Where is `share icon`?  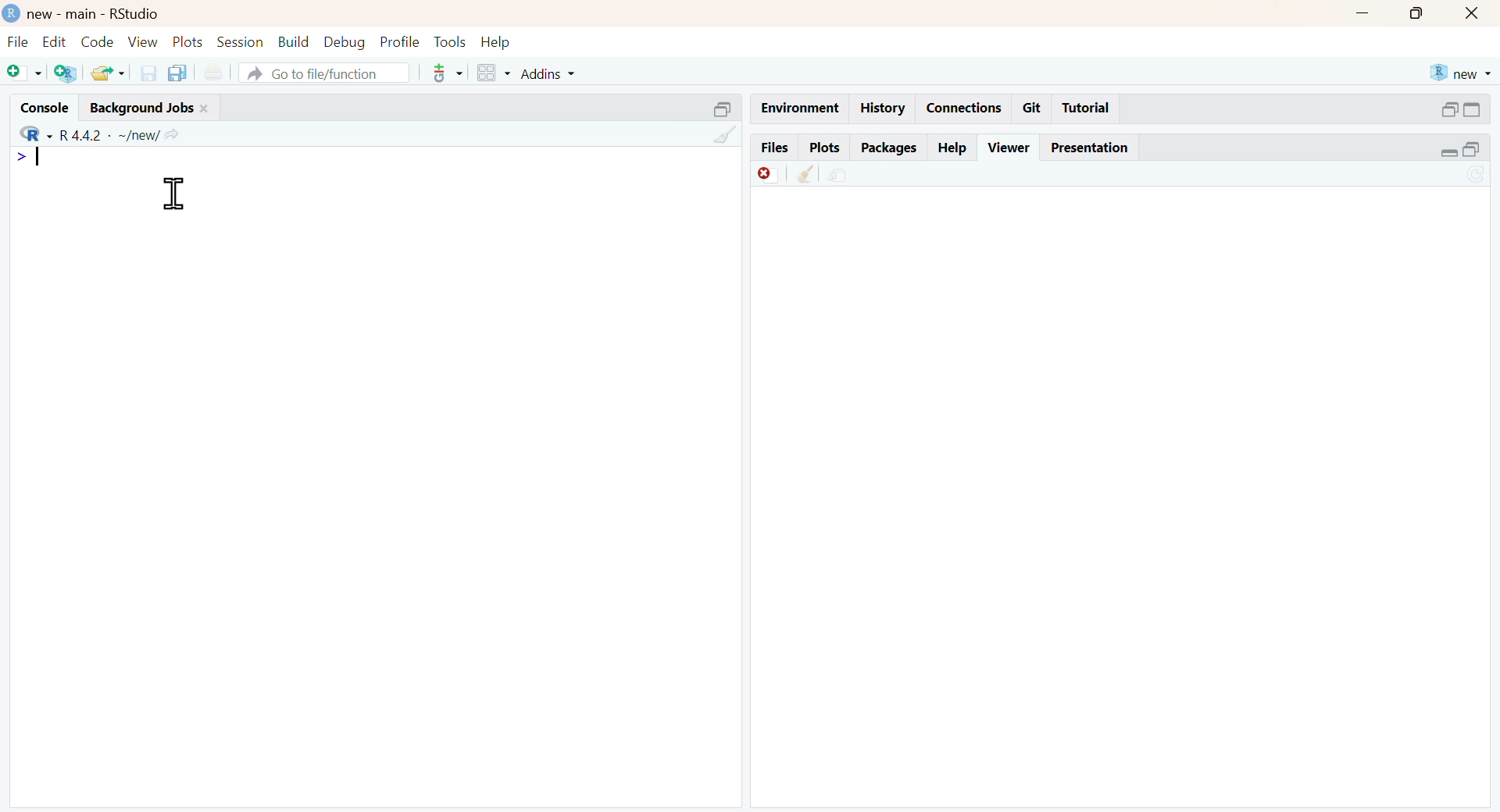 share icon is located at coordinates (171, 135).